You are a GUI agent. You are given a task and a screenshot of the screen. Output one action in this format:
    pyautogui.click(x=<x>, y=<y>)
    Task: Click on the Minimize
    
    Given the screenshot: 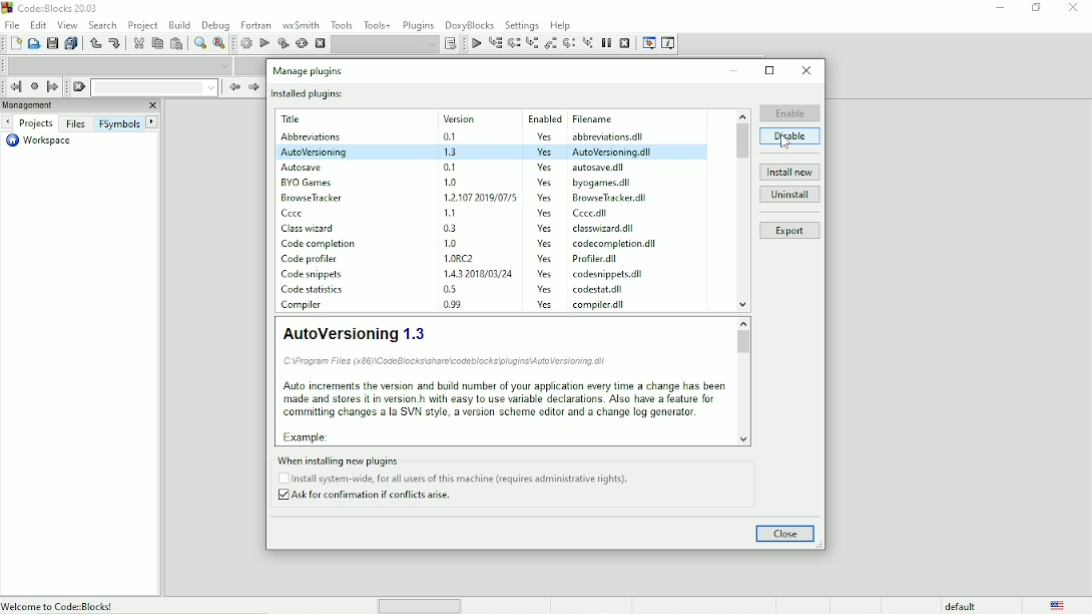 What is the action you would take?
    pyautogui.click(x=999, y=8)
    